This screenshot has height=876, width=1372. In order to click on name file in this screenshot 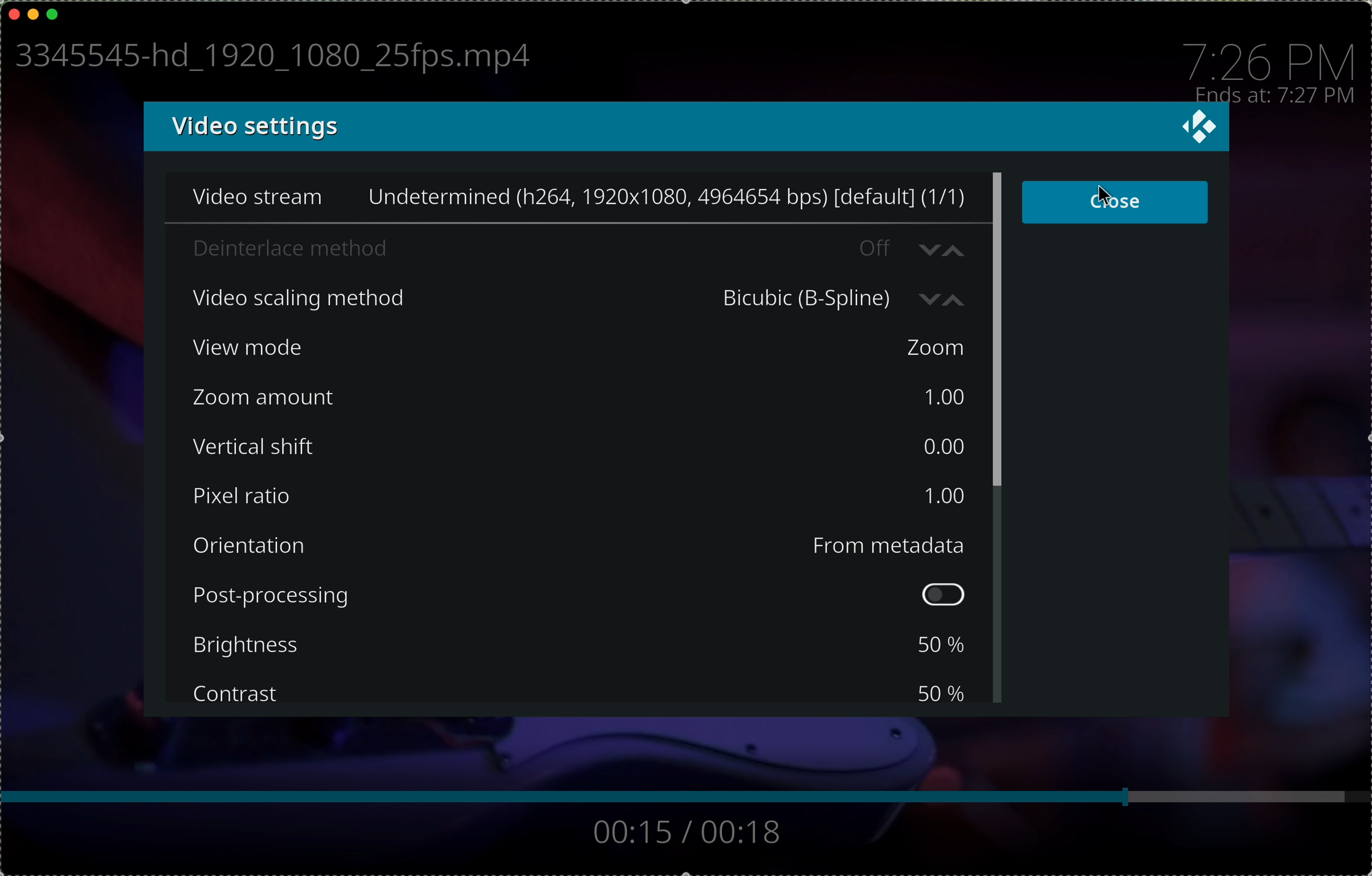, I will do `click(268, 58)`.